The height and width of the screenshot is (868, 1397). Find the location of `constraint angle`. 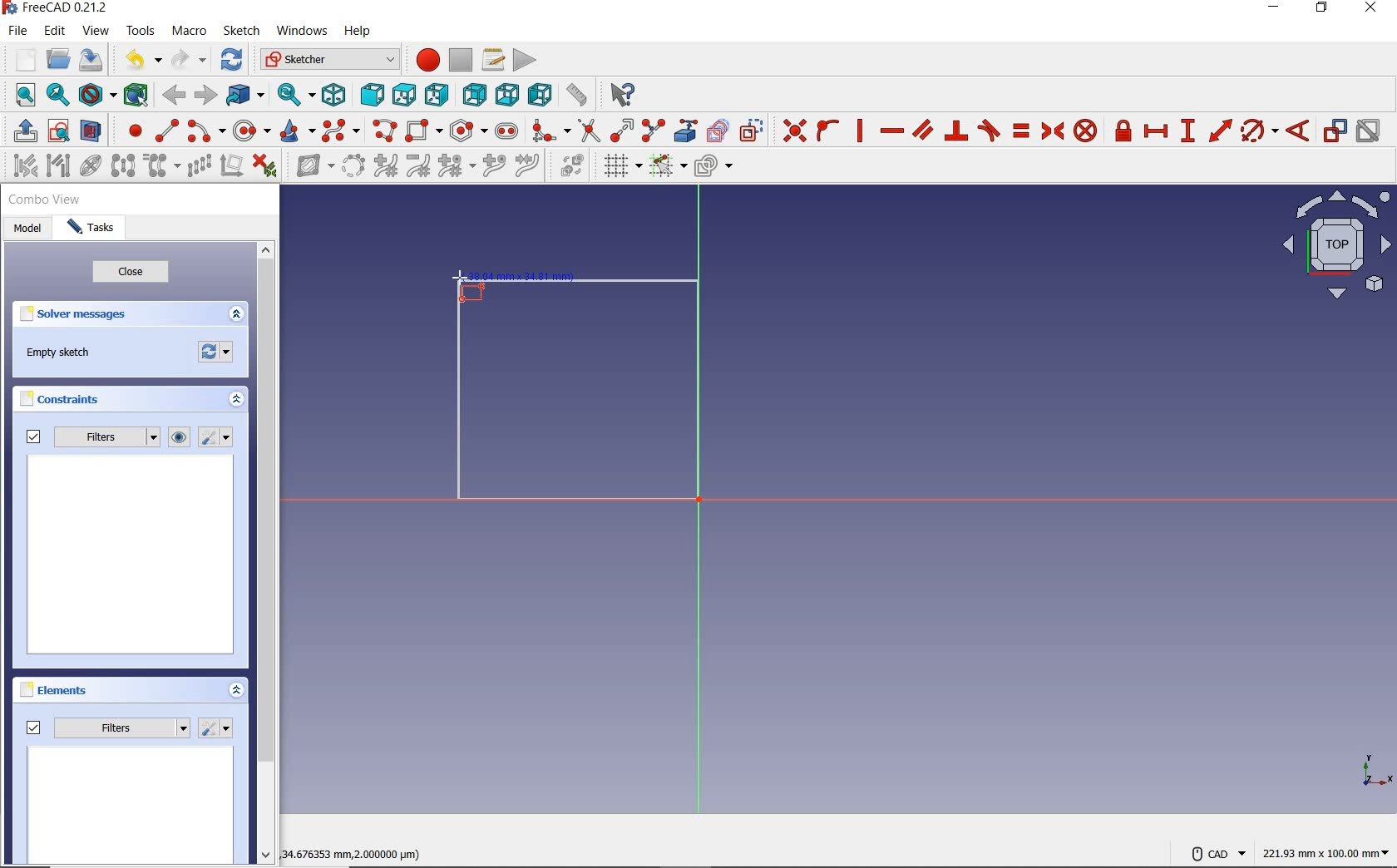

constraint angle is located at coordinates (1299, 130).